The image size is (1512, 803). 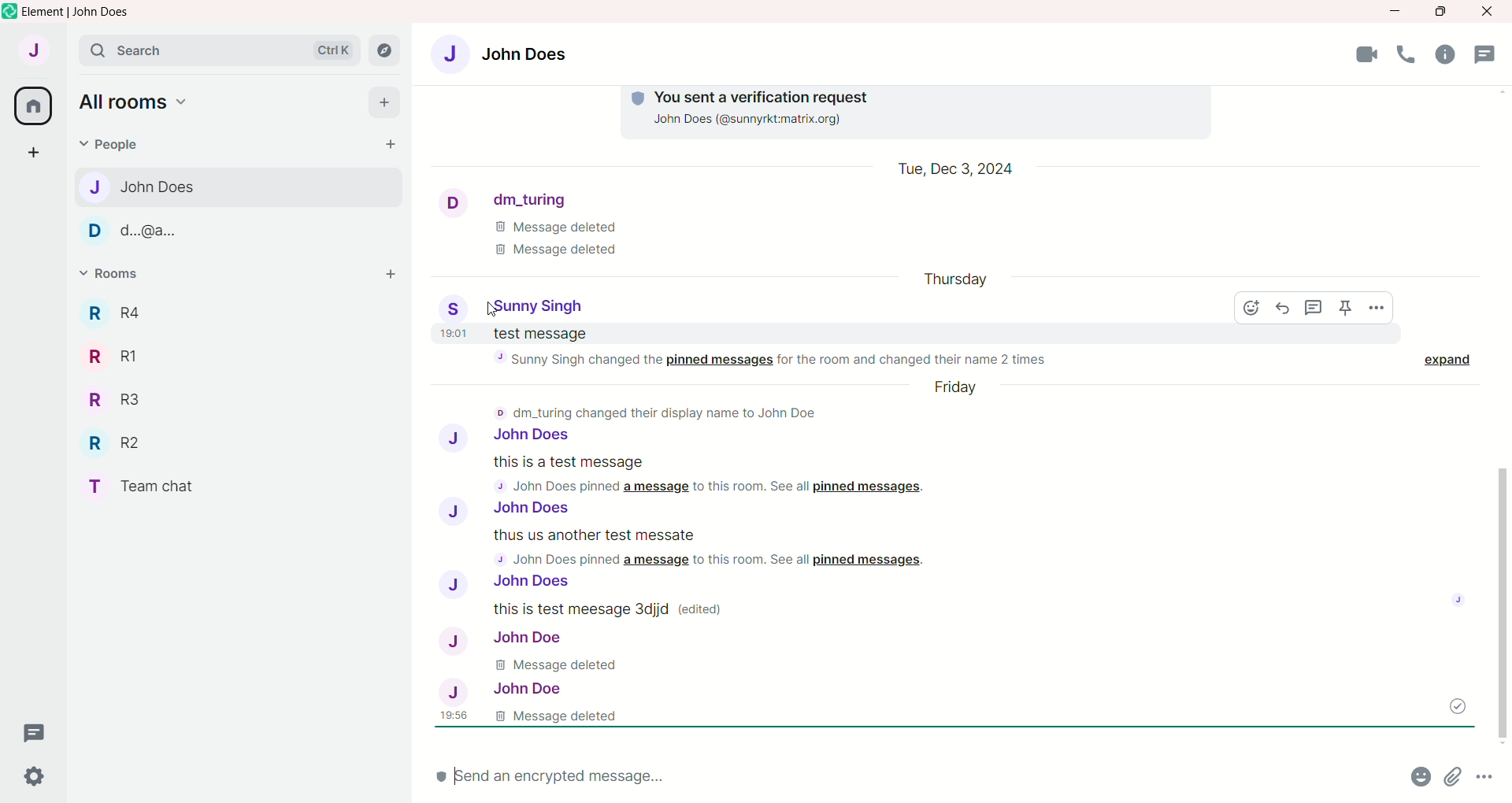 What do you see at coordinates (110, 313) in the screenshot?
I see `R4` at bounding box center [110, 313].